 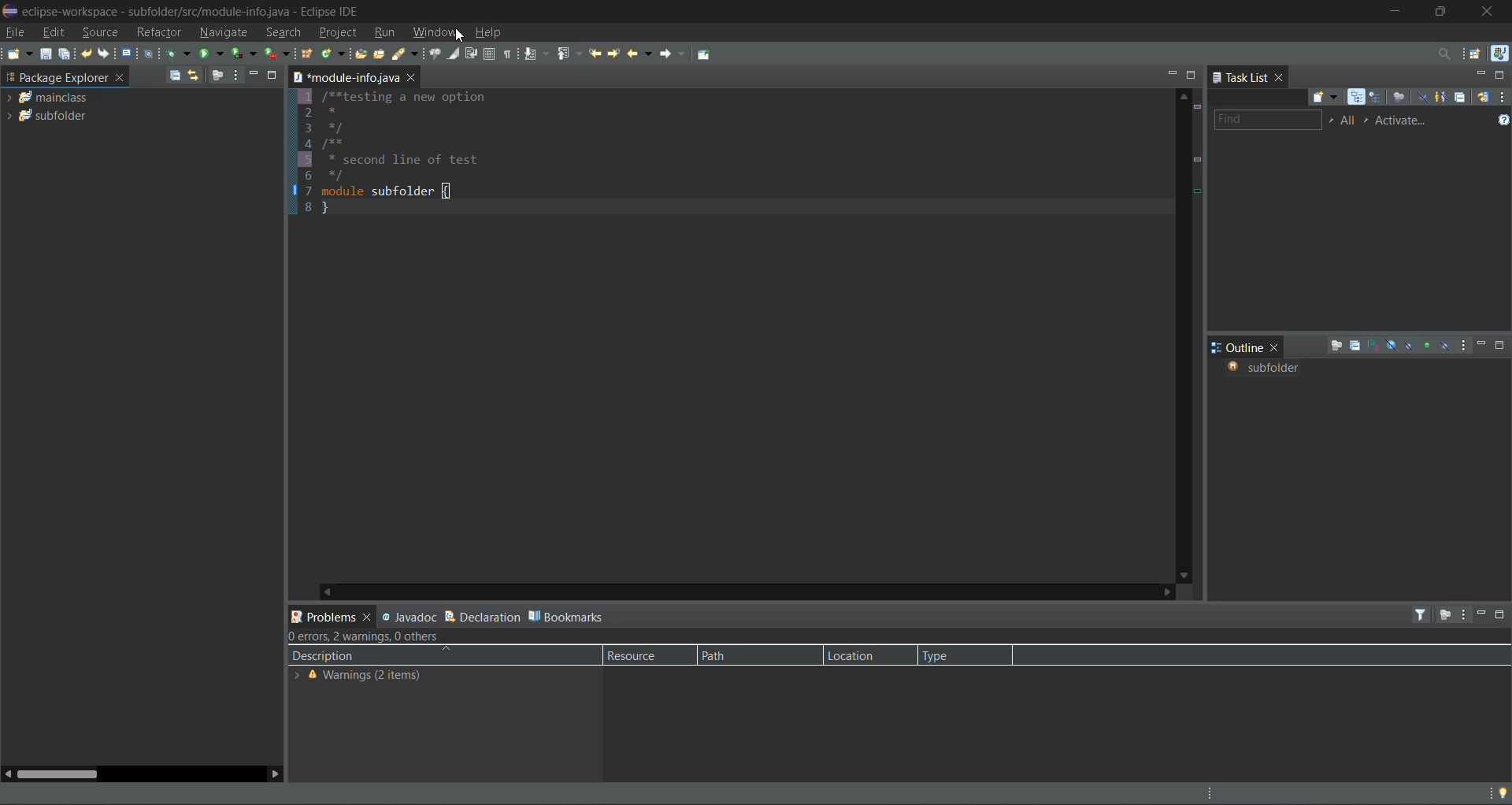 I want to click on refractor, so click(x=160, y=33).